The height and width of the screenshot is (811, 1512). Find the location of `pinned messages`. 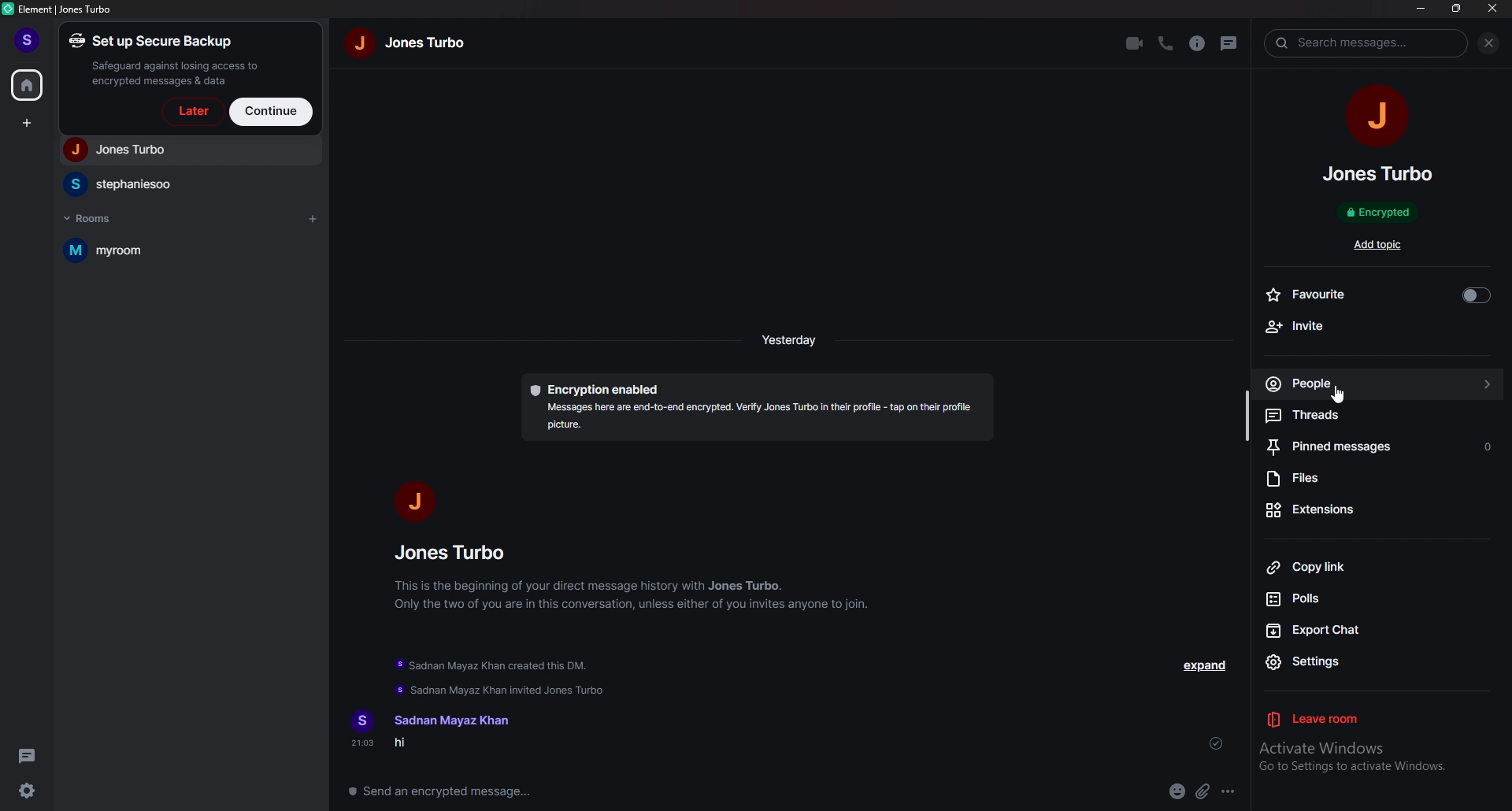

pinned messages is located at coordinates (1384, 446).